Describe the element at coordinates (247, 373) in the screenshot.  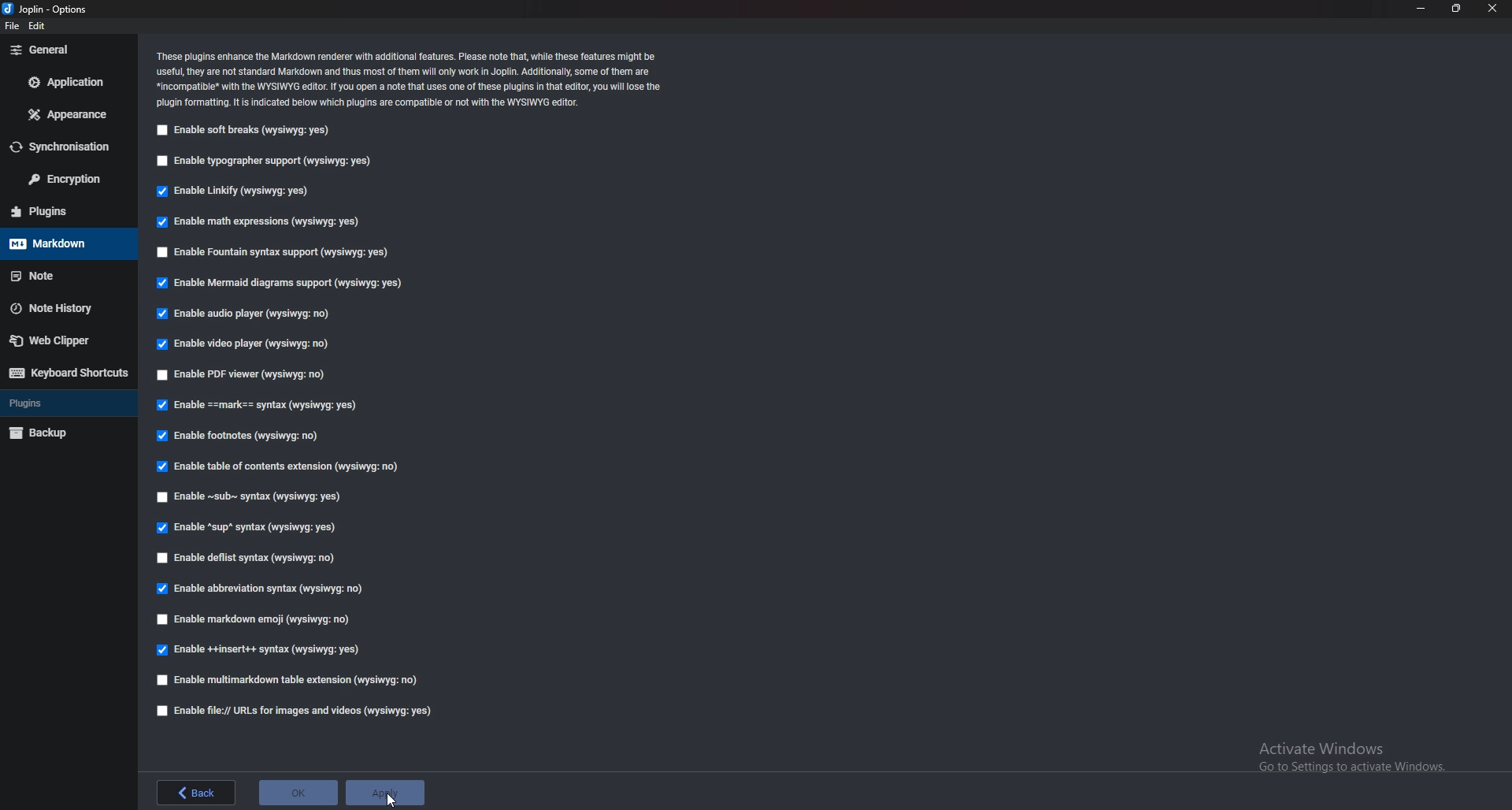
I see `enable pdf viewer` at that location.